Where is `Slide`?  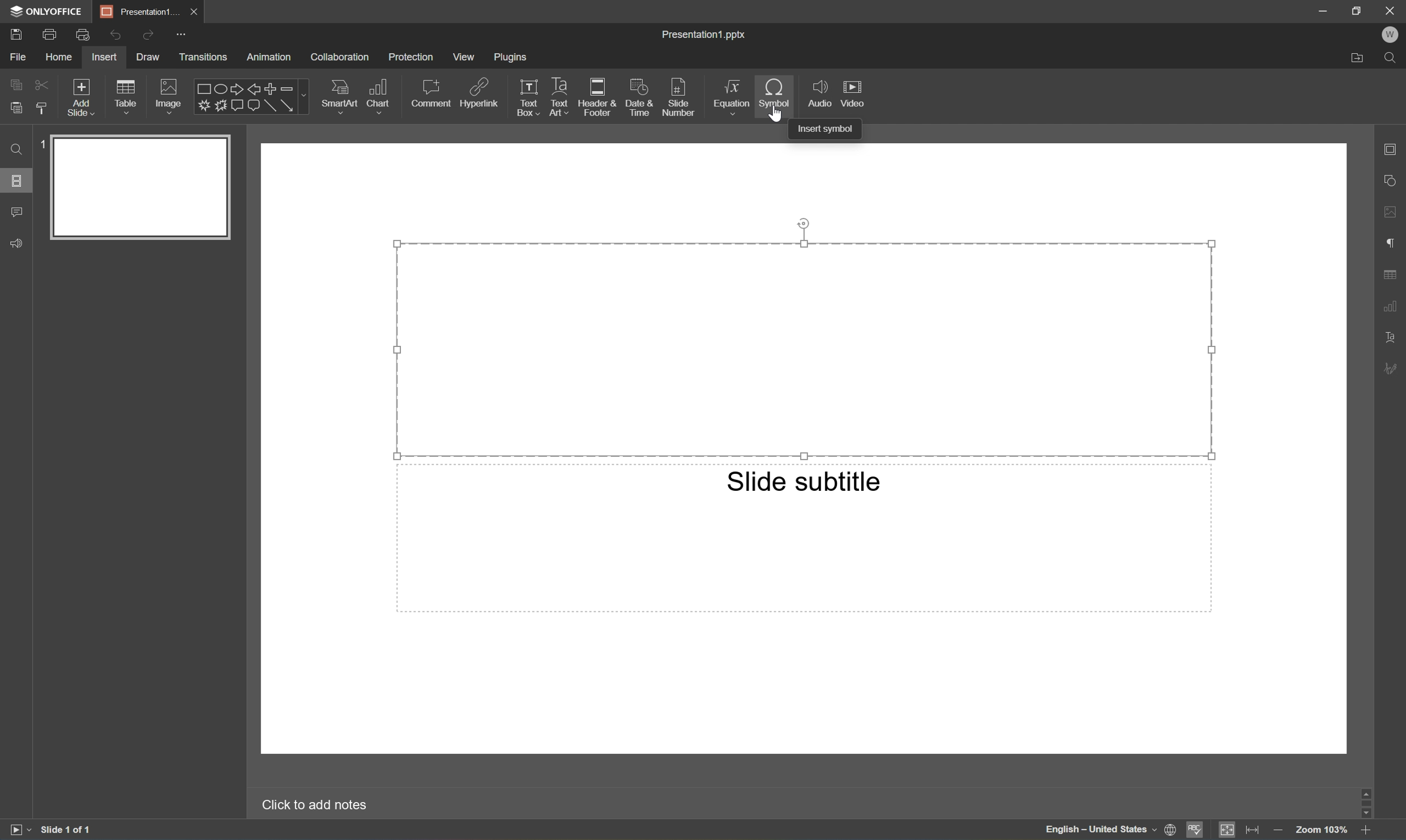 Slide is located at coordinates (140, 187).